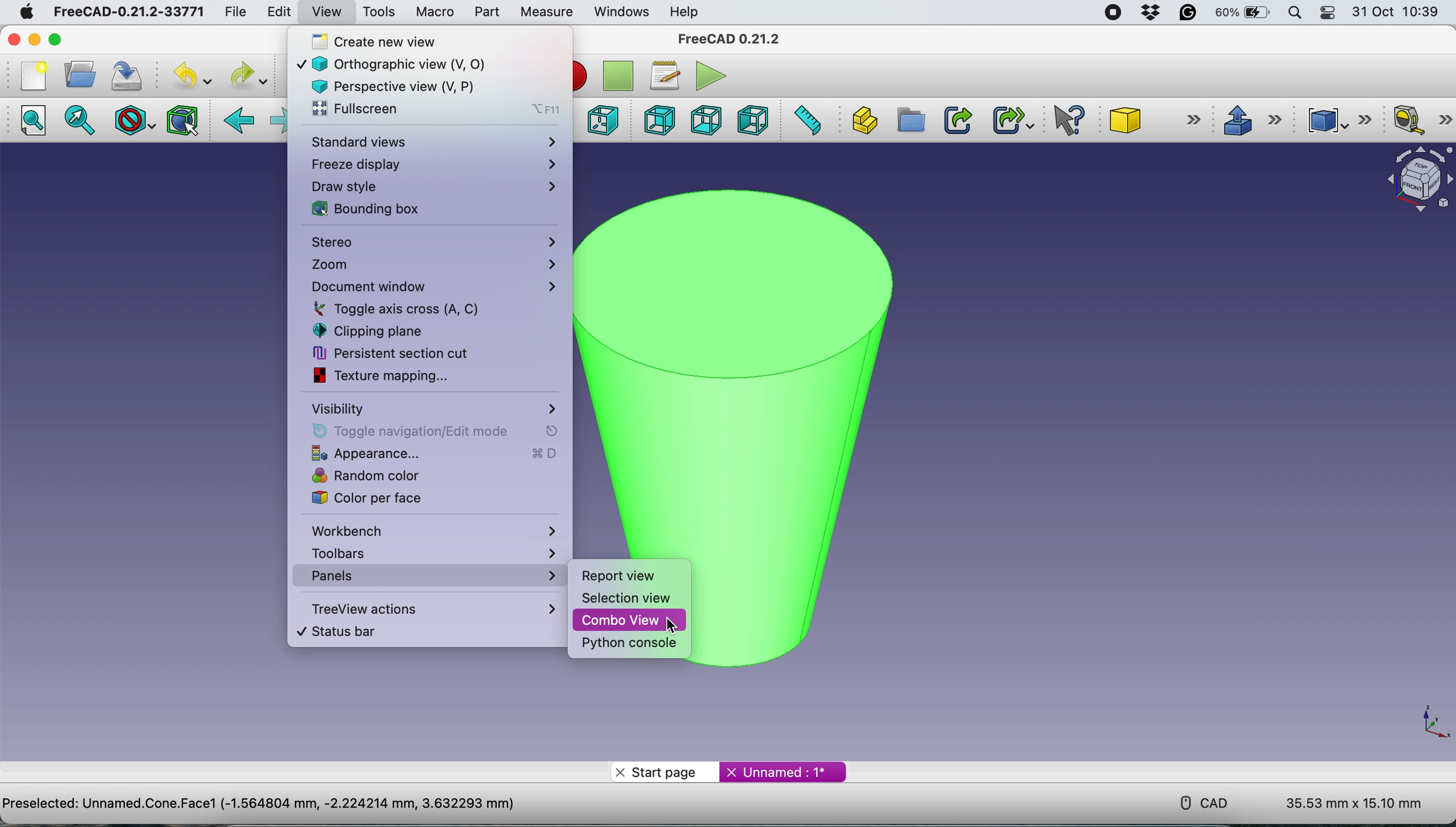 The height and width of the screenshot is (827, 1456). Describe the element at coordinates (76, 39) in the screenshot. I see `maximise` at that location.